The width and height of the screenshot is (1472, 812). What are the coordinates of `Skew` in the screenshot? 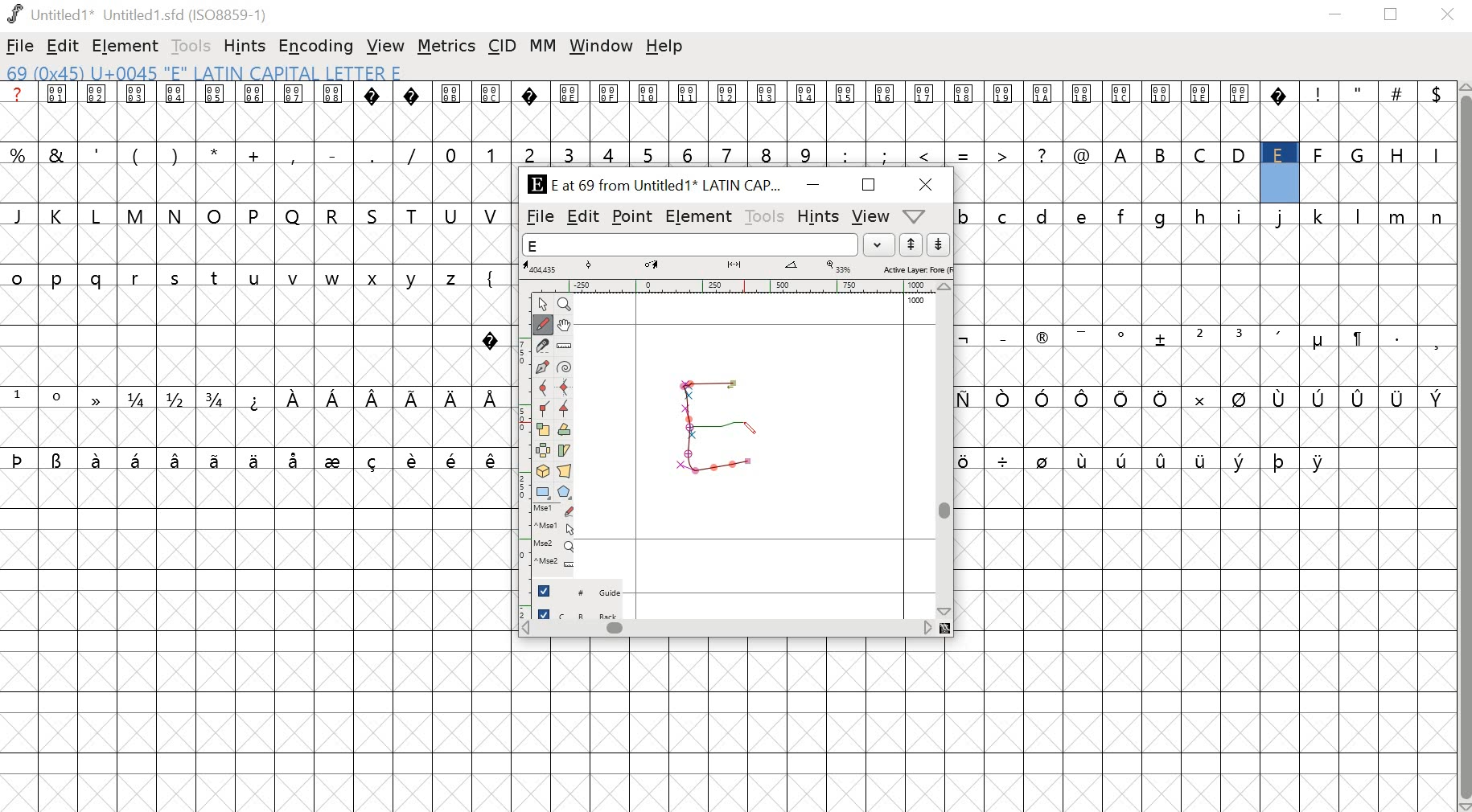 It's located at (566, 450).